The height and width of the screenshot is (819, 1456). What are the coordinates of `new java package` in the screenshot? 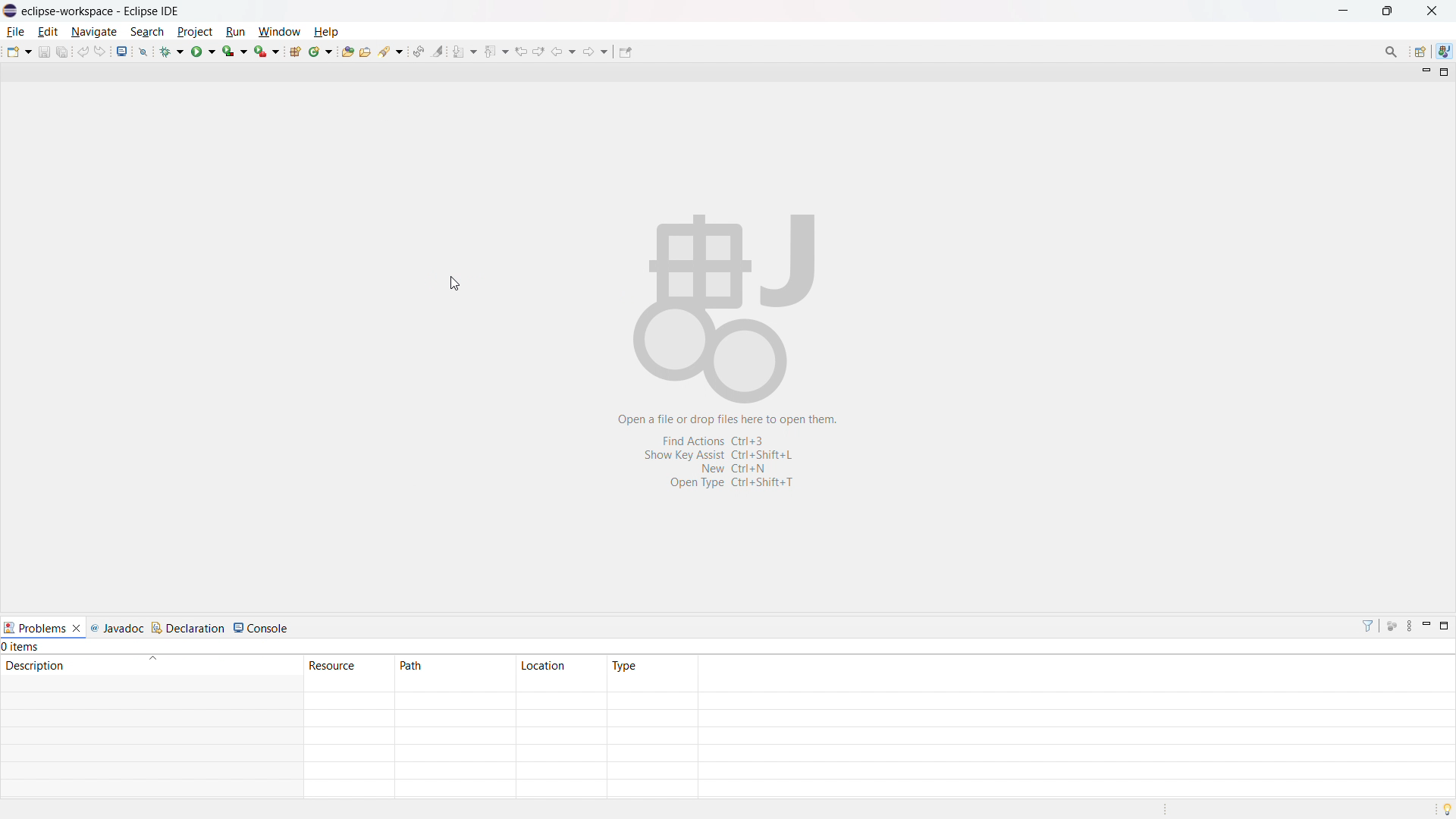 It's located at (295, 51).